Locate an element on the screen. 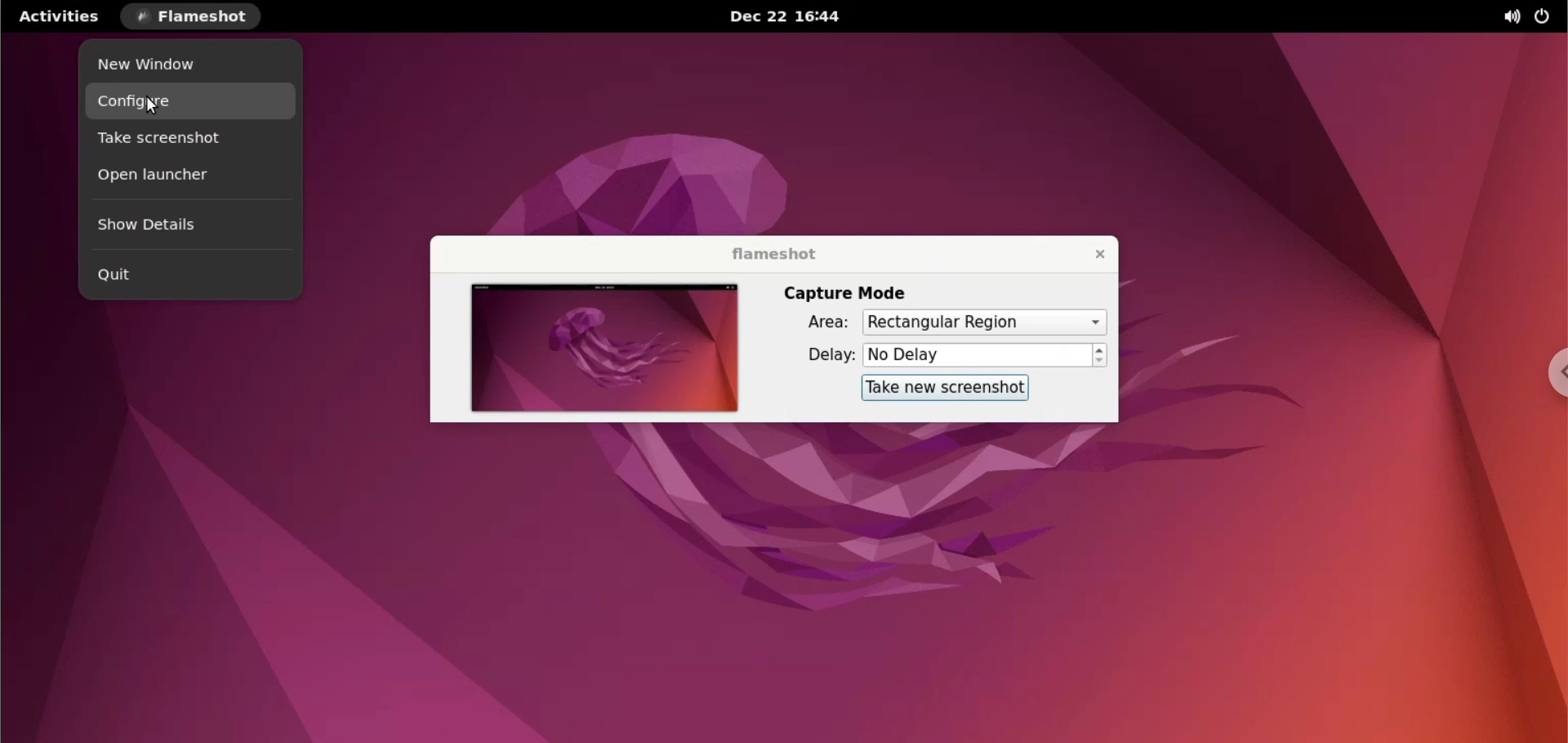  delay time input box is located at coordinates (978, 356).